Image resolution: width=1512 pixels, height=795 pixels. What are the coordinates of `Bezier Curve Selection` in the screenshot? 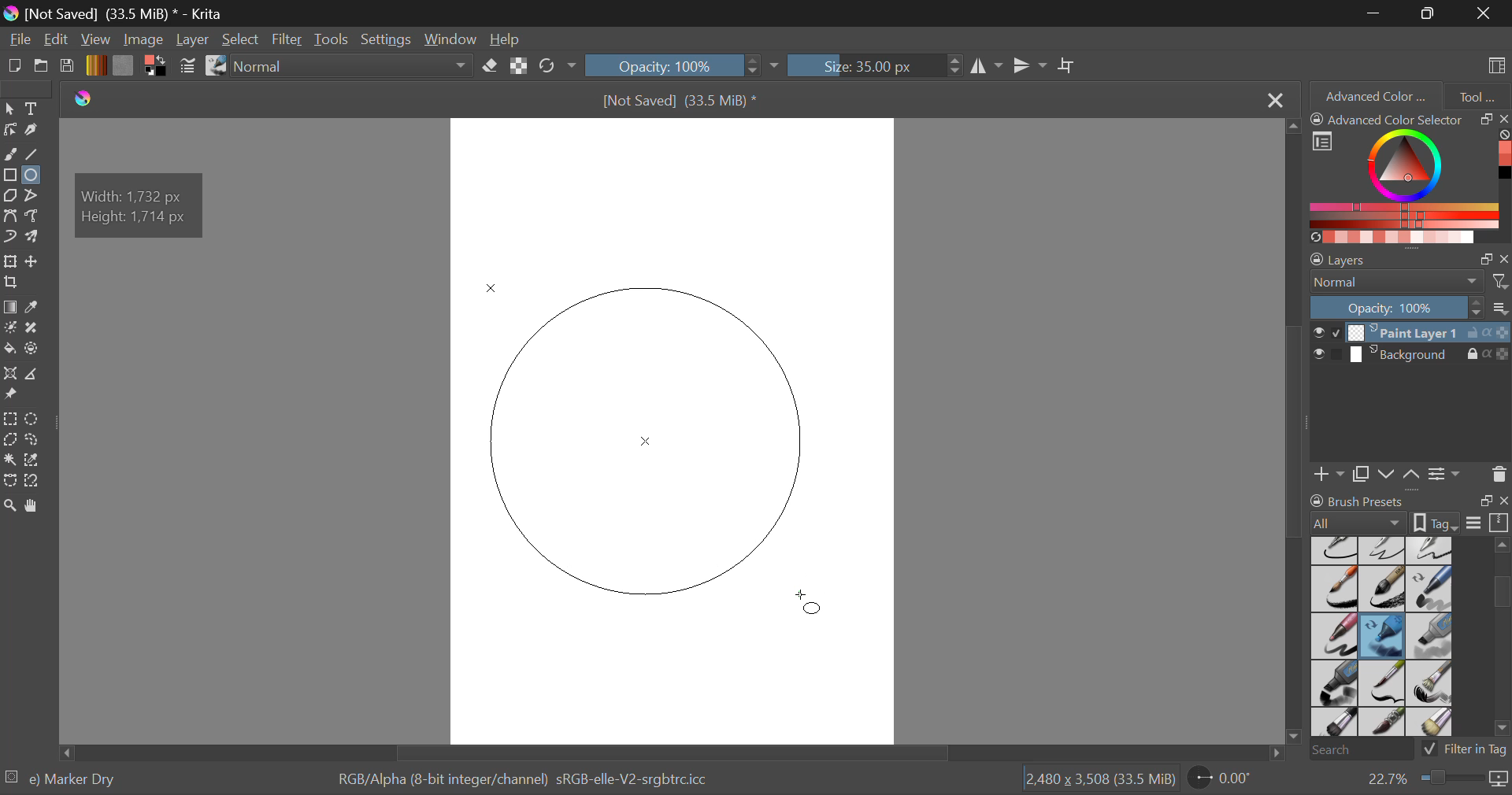 It's located at (9, 481).